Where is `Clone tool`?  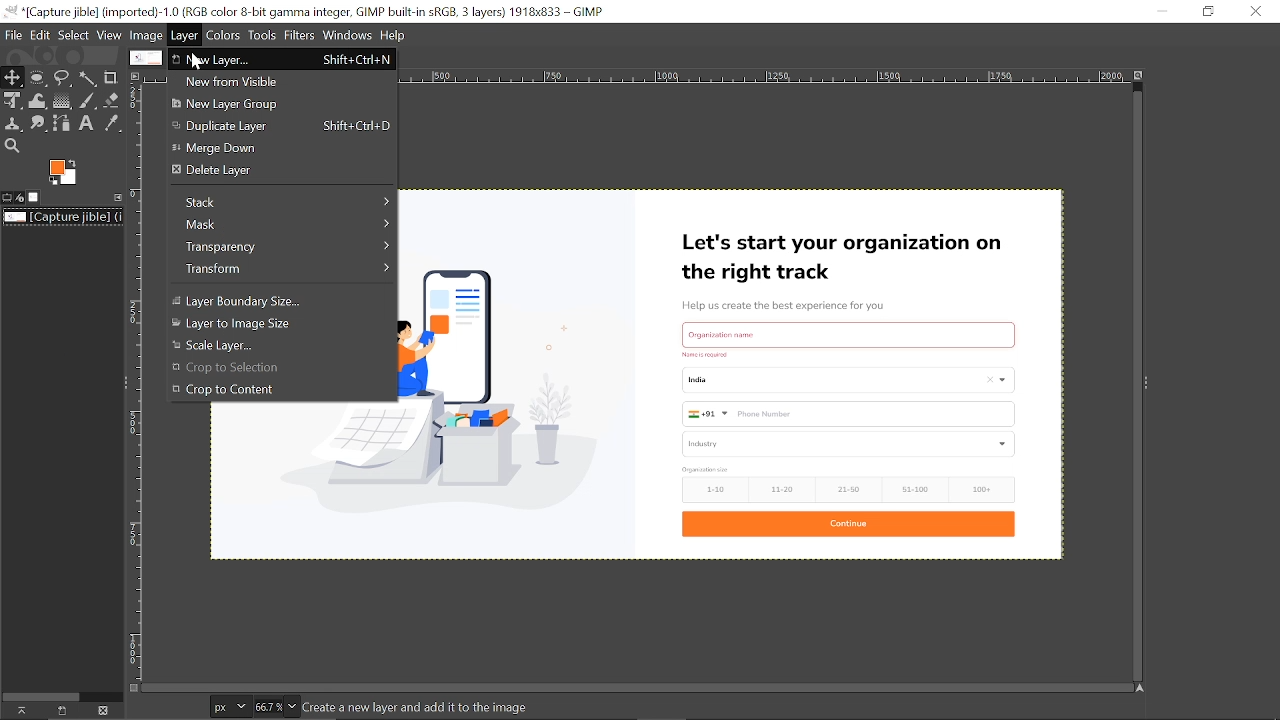
Clone tool is located at coordinates (14, 125).